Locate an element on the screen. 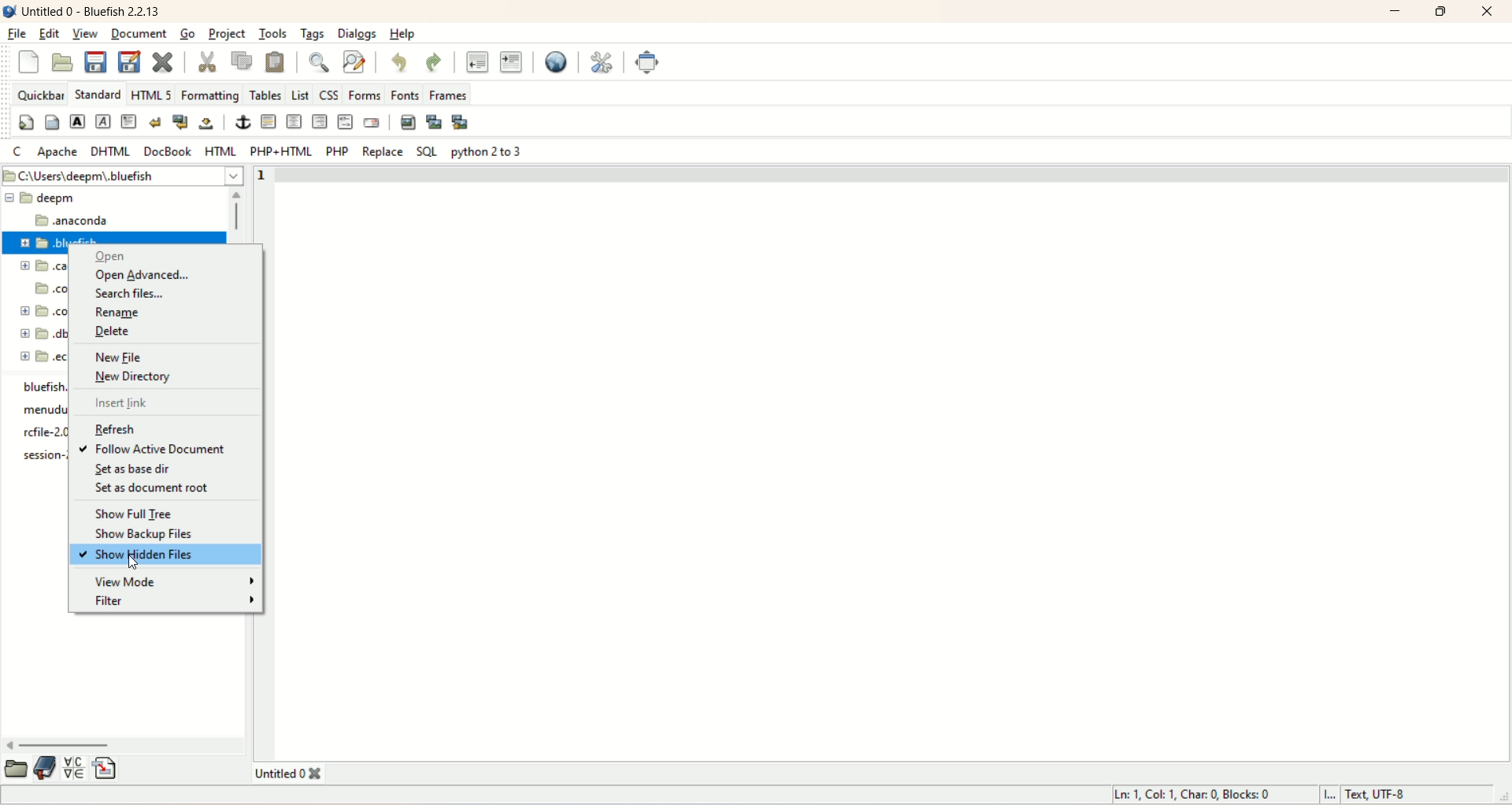  formatting is located at coordinates (211, 96).